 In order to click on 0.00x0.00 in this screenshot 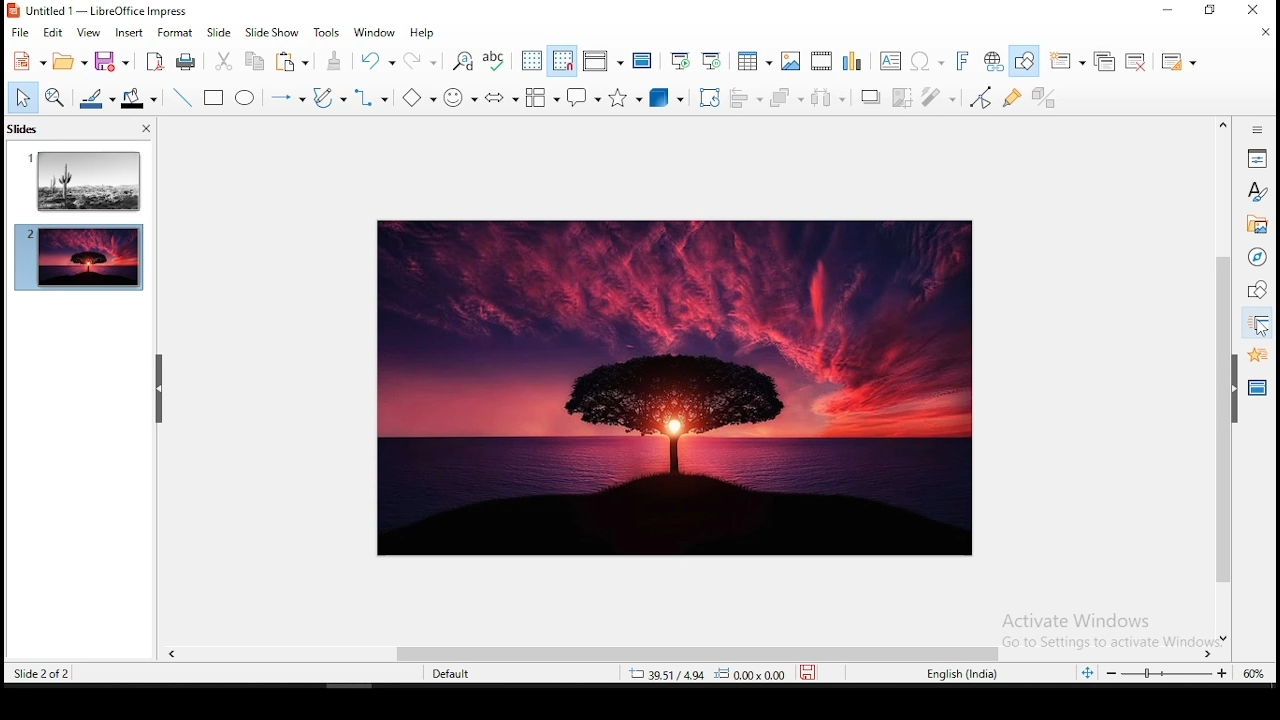, I will do `click(750, 675)`.